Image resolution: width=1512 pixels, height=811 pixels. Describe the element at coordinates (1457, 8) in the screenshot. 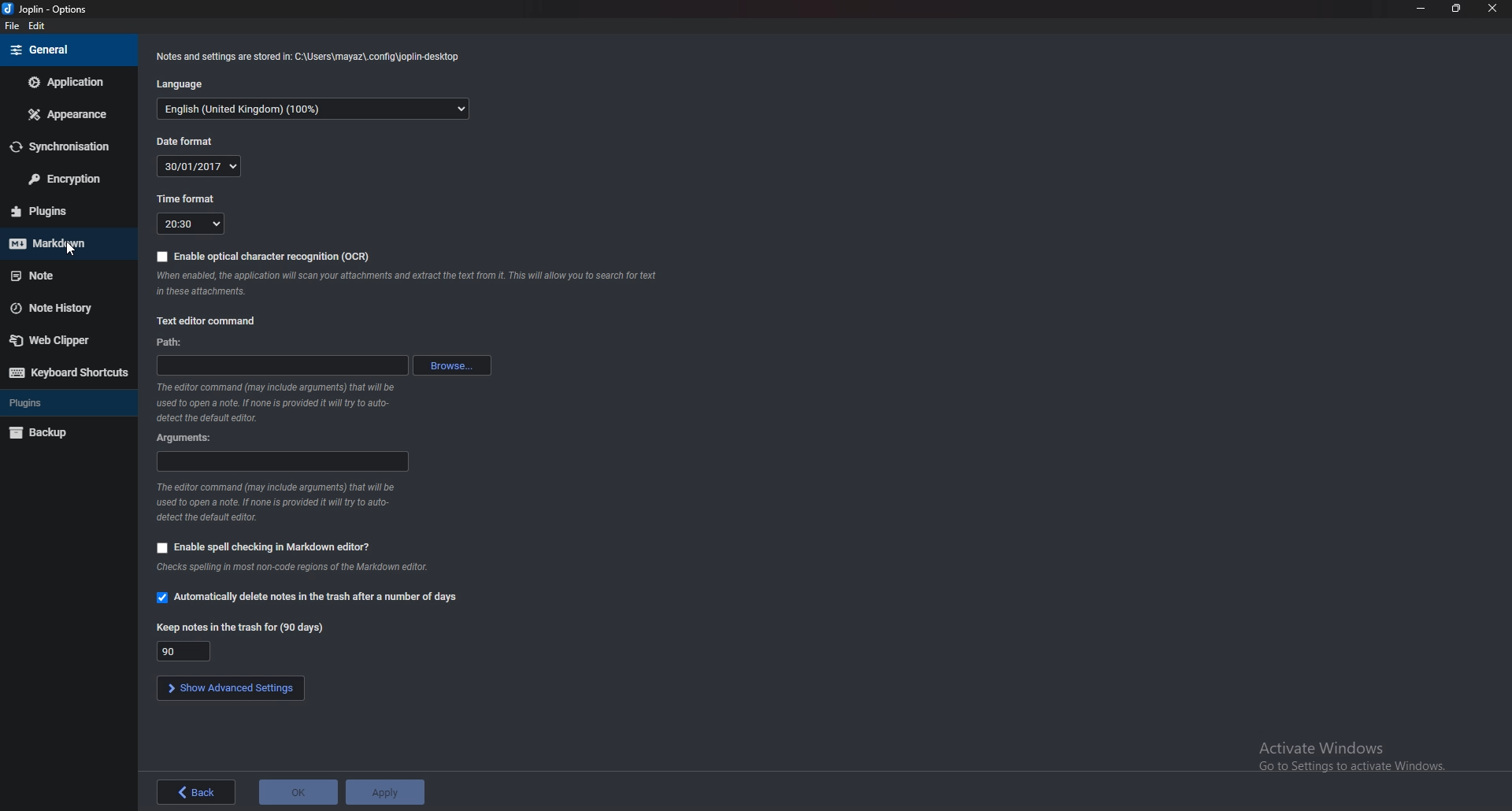

I see `Resize` at that location.